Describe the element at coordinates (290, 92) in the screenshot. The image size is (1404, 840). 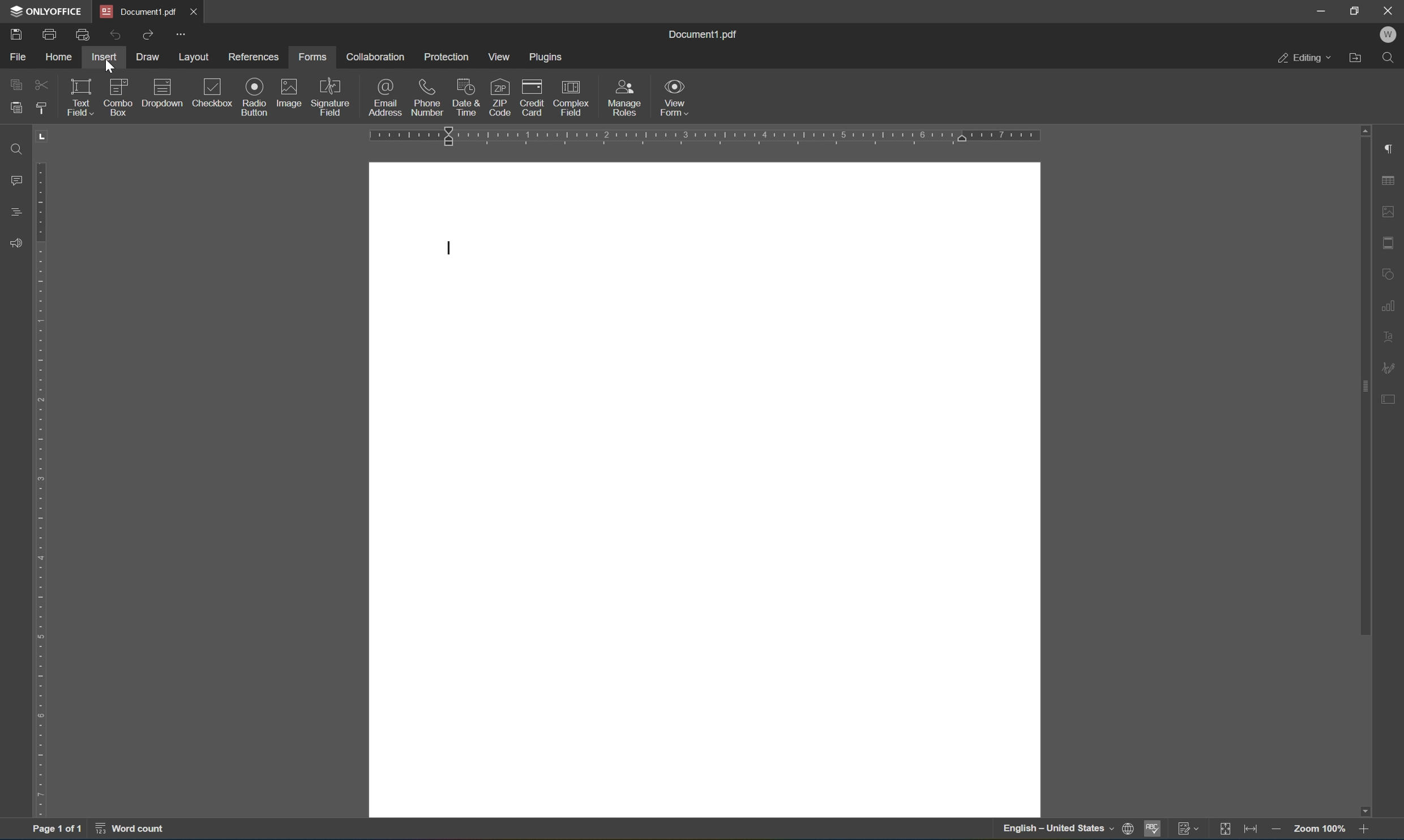
I see `image` at that location.